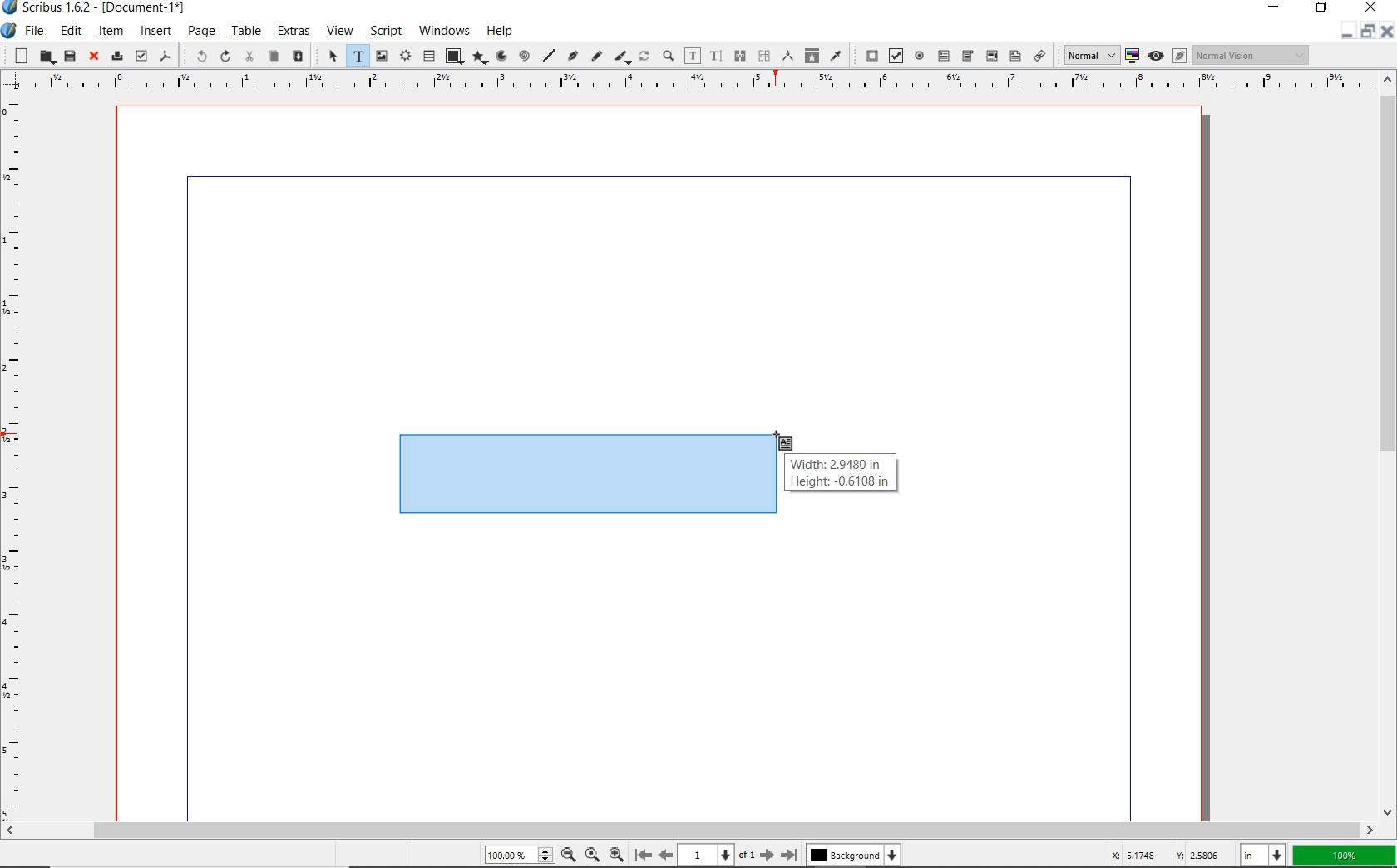 Image resolution: width=1397 pixels, height=868 pixels. I want to click on polygon, so click(477, 58).